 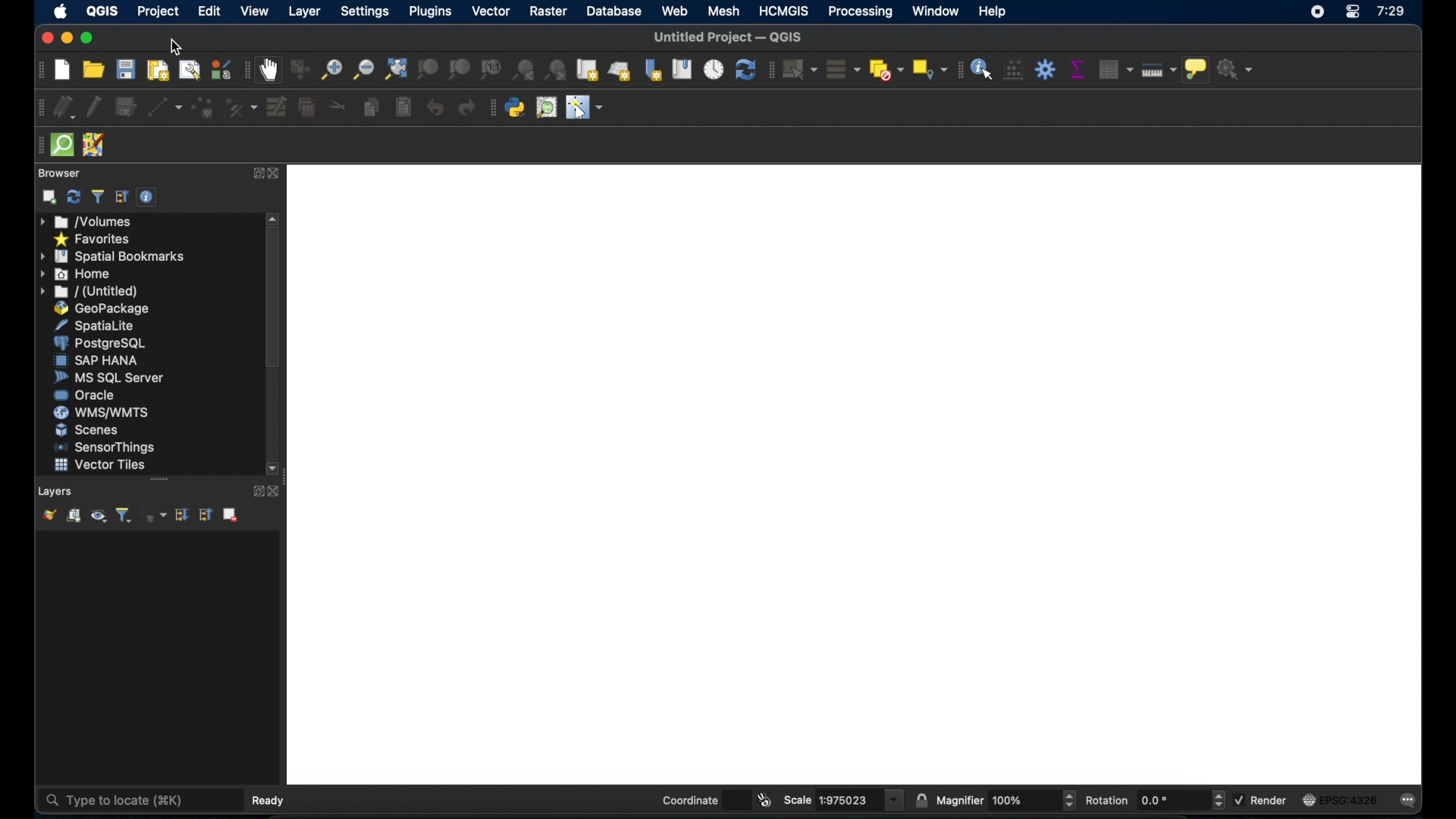 I want to click on magnifier value, so click(x=1025, y=800).